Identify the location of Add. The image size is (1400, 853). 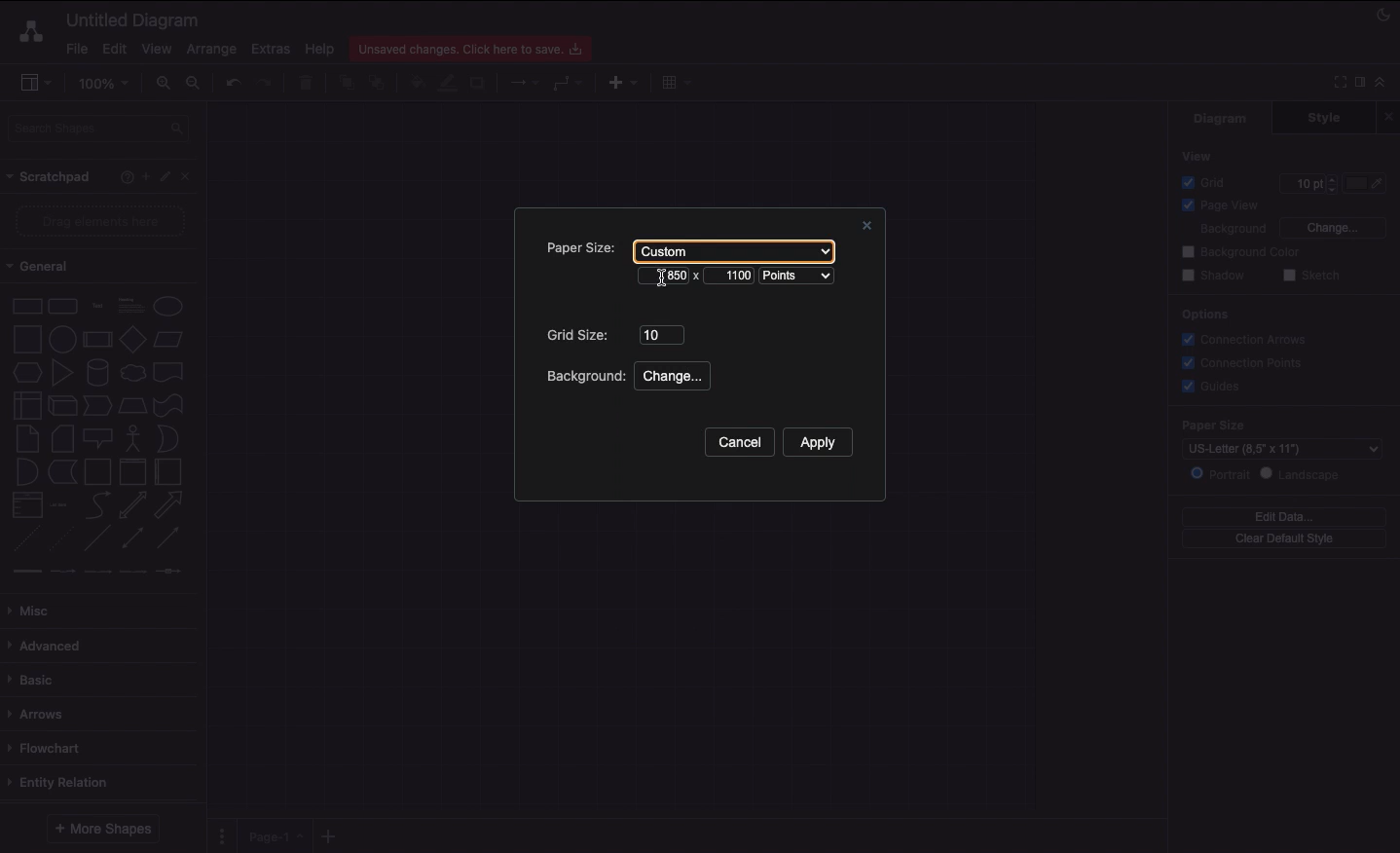
(145, 175).